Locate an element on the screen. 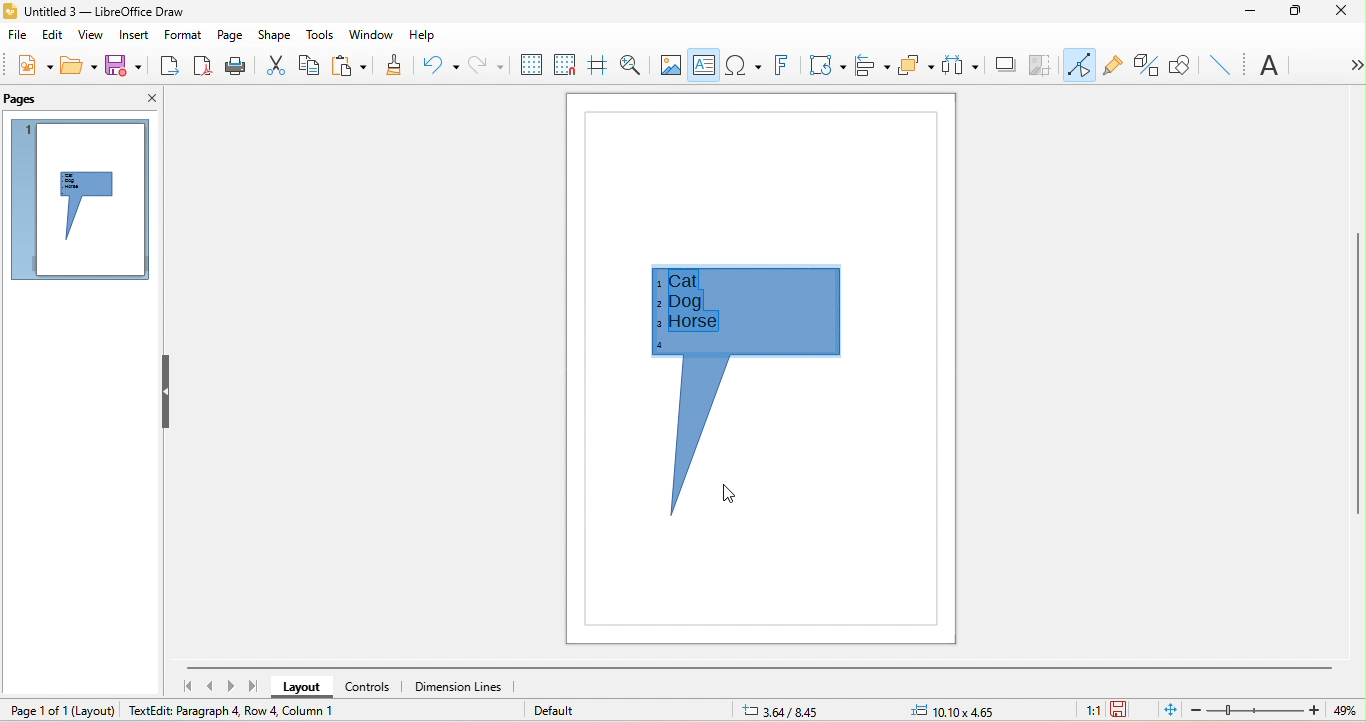 Image resolution: width=1366 pixels, height=722 pixels. open is located at coordinates (80, 65).